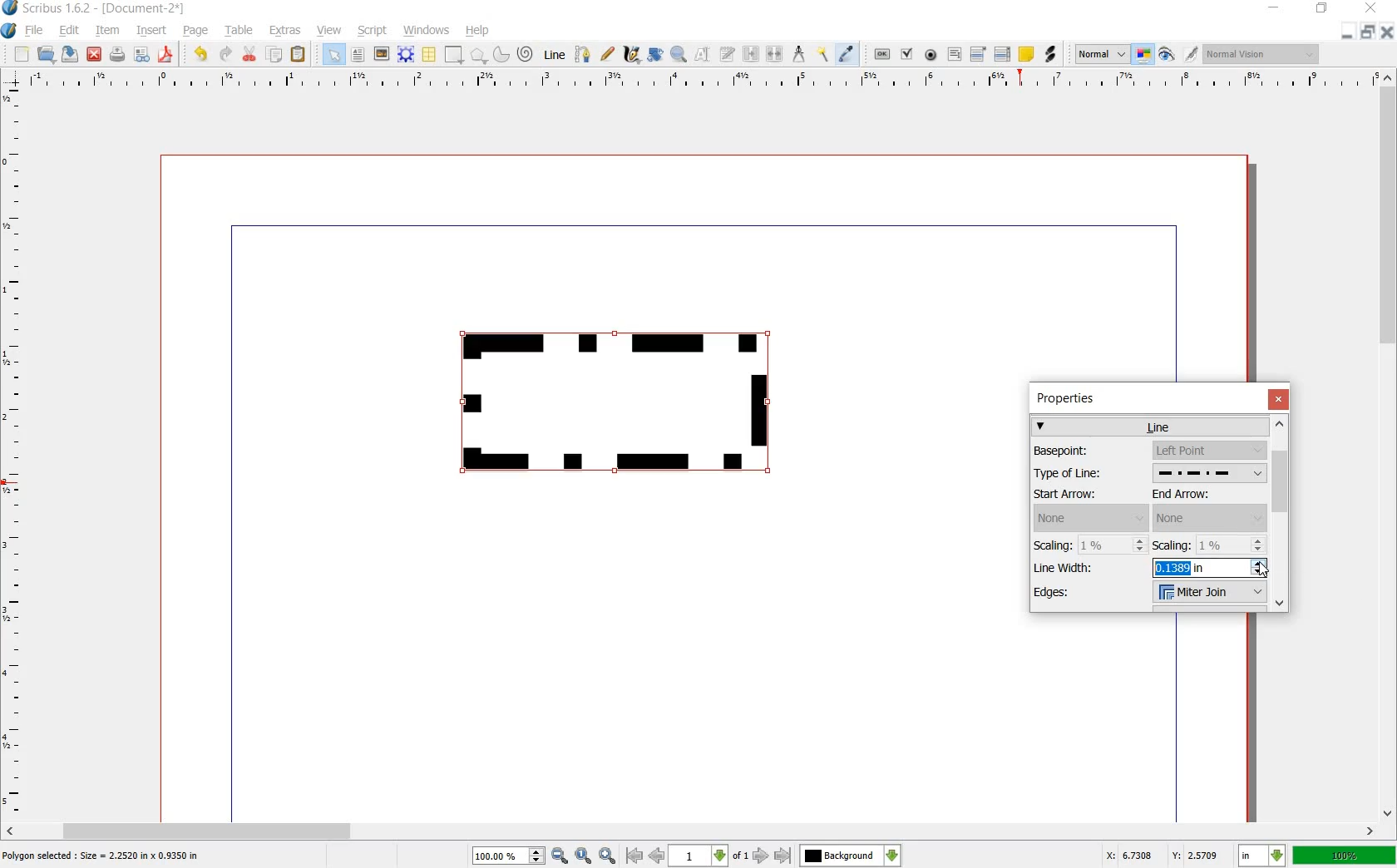  What do you see at coordinates (954, 55) in the screenshot?
I see `PDF TEXT FIELD` at bounding box center [954, 55].